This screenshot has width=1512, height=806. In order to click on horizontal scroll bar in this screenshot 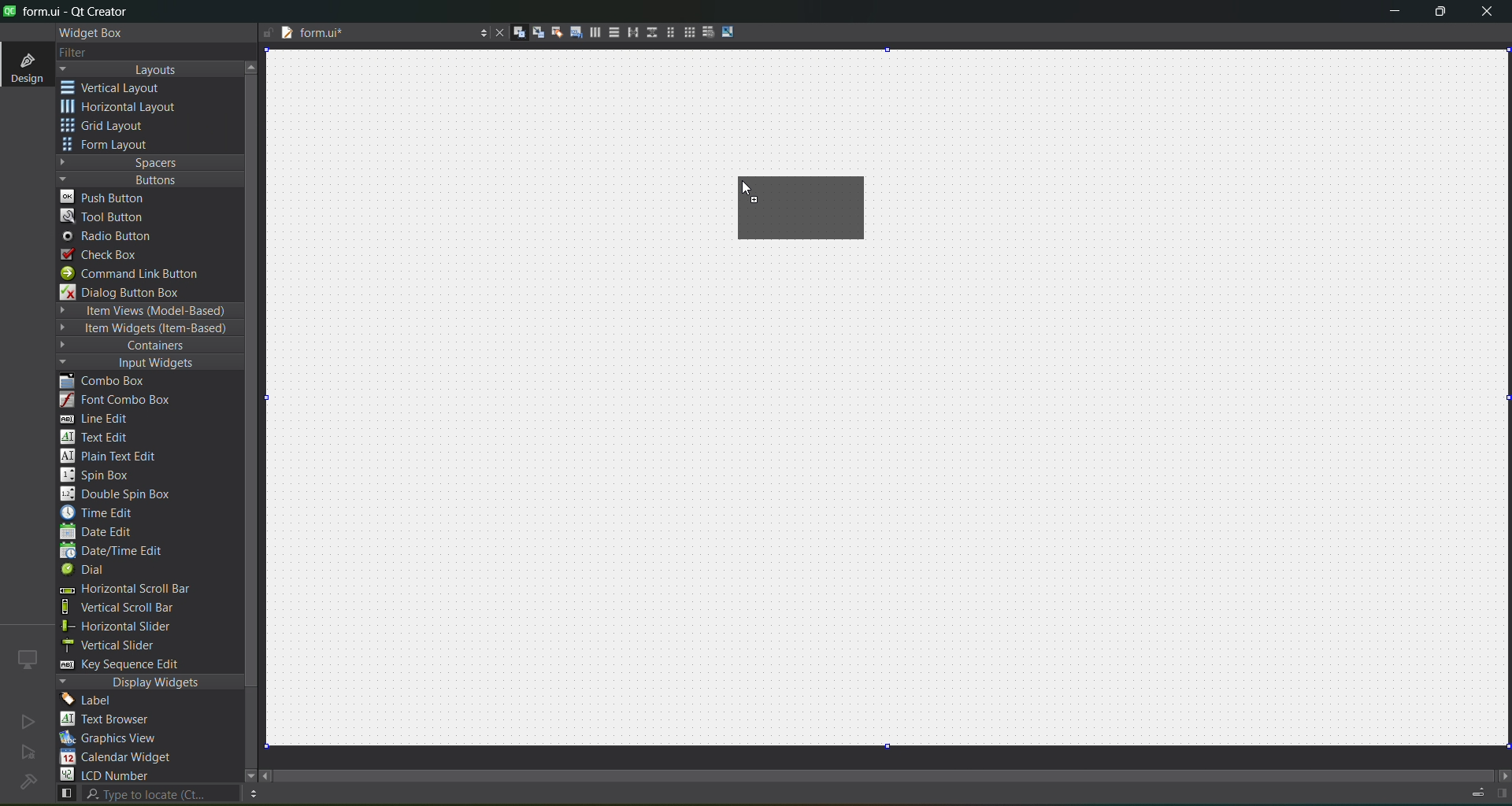, I will do `click(124, 590)`.